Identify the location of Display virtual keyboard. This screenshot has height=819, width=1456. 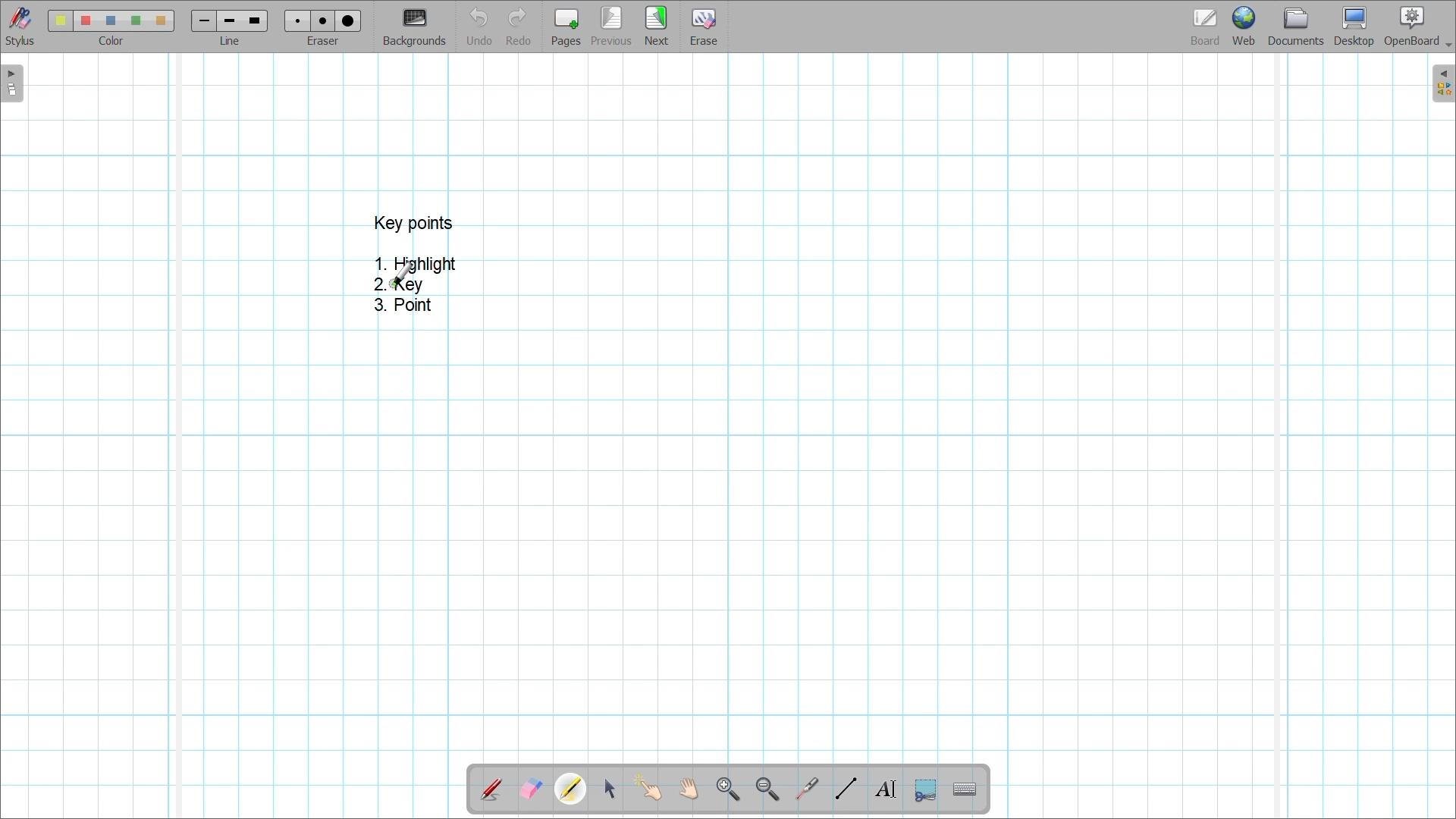
(965, 789).